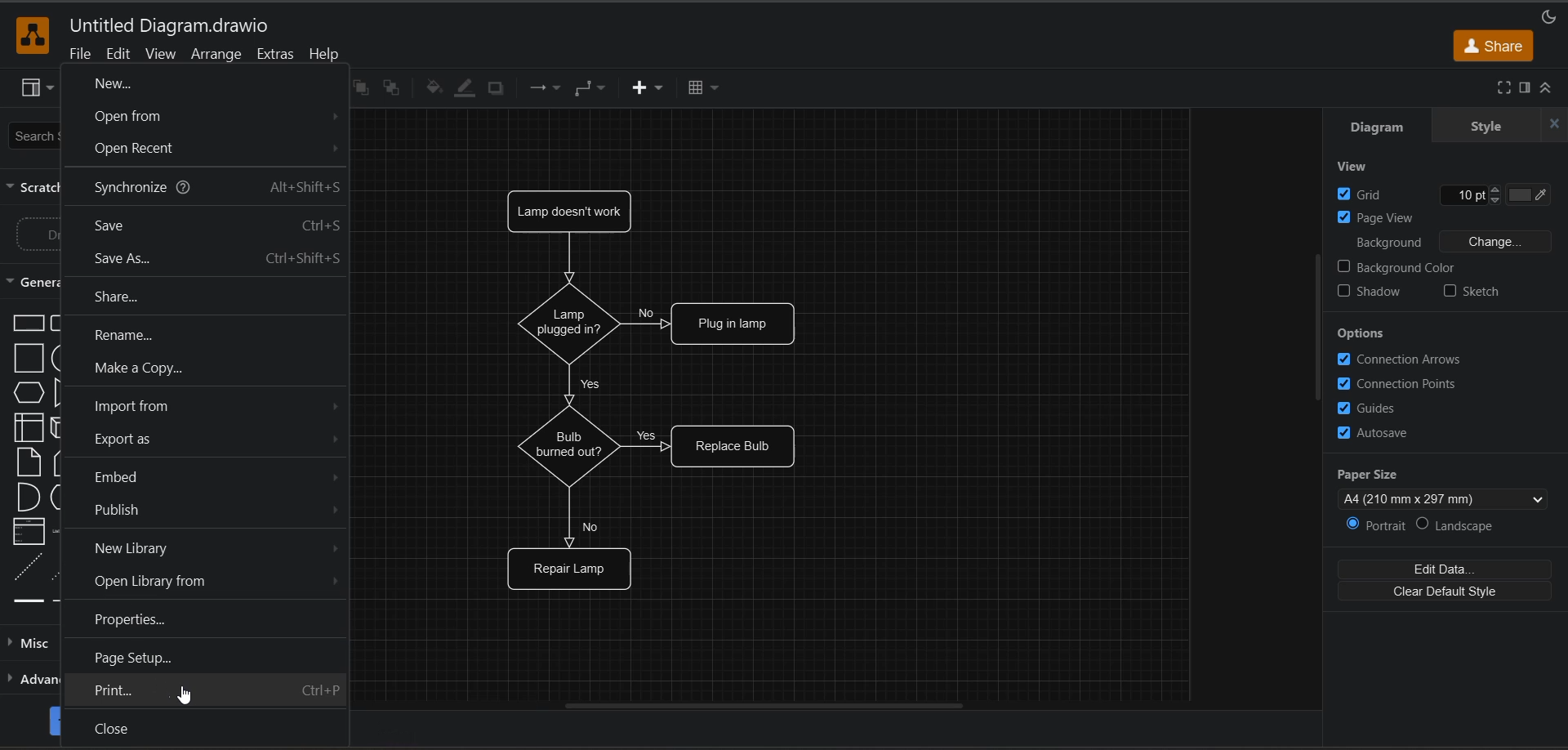 Image resolution: width=1568 pixels, height=750 pixels. What do you see at coordinates (1460, 527) in the screenshot?
I see `landscape` at bounding box center [1460, 527].